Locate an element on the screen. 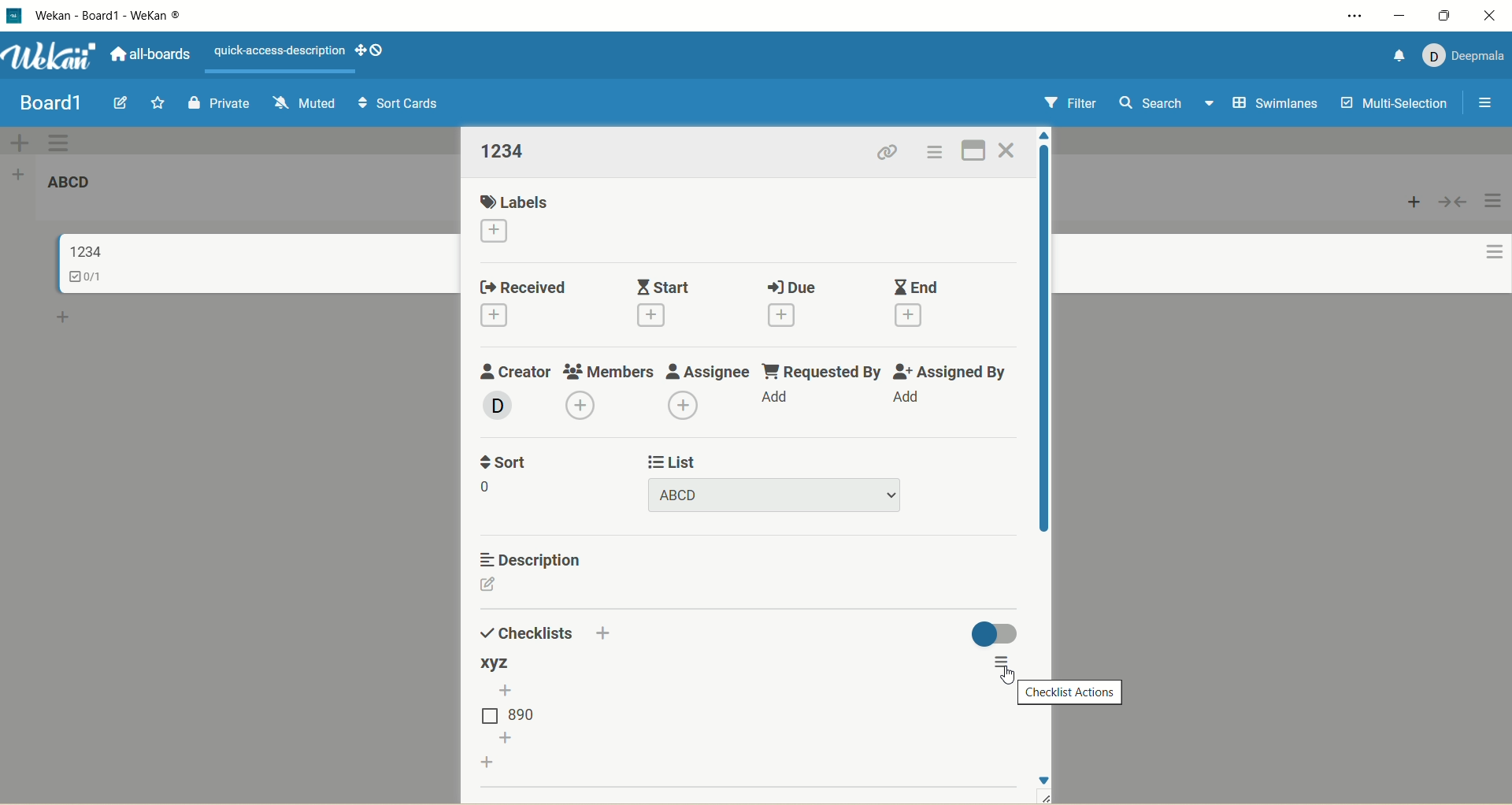  sort is located at coordinates (500, 462).